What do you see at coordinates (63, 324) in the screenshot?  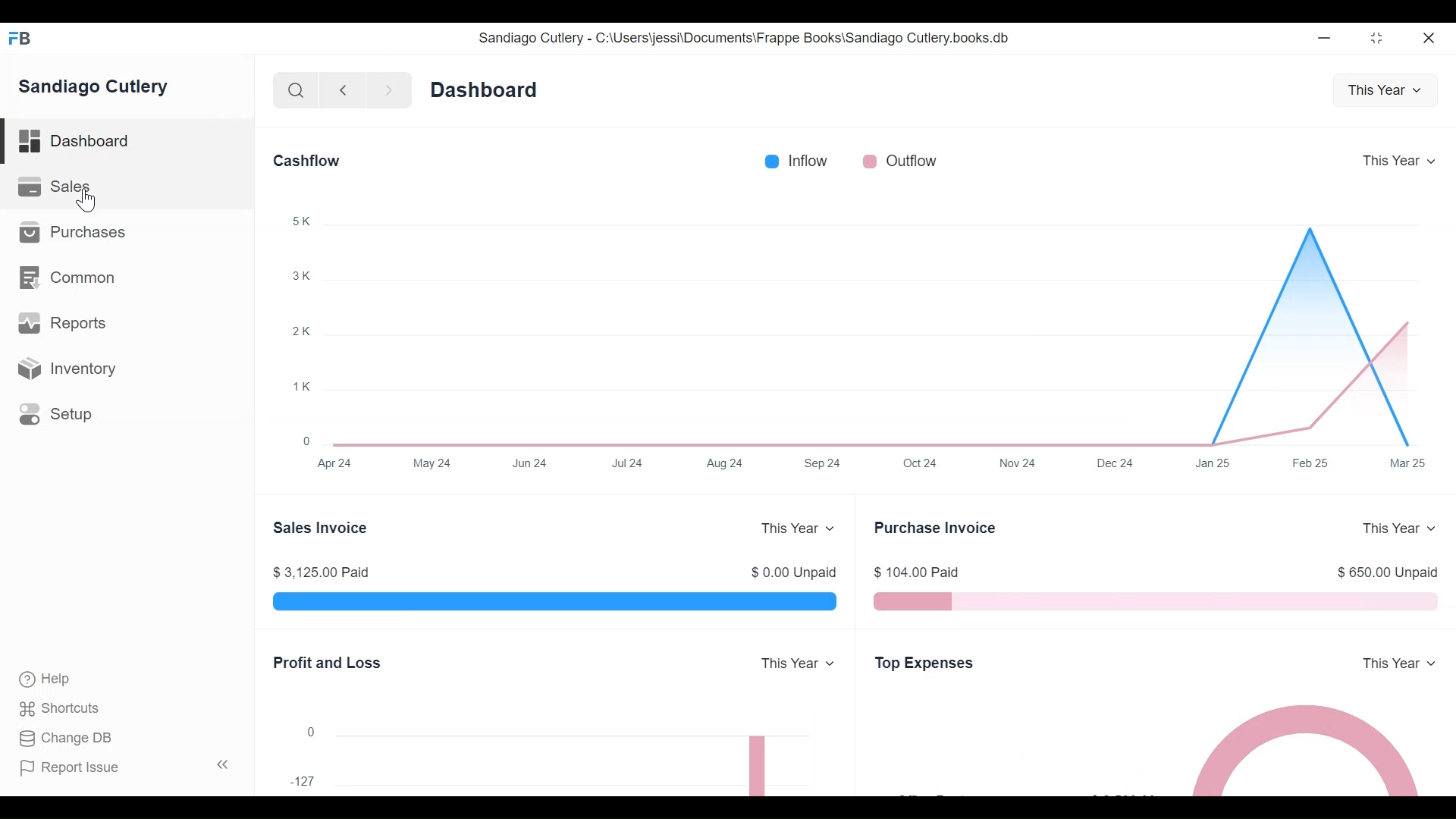 I see `Reports` at bounding box center [63, 324].